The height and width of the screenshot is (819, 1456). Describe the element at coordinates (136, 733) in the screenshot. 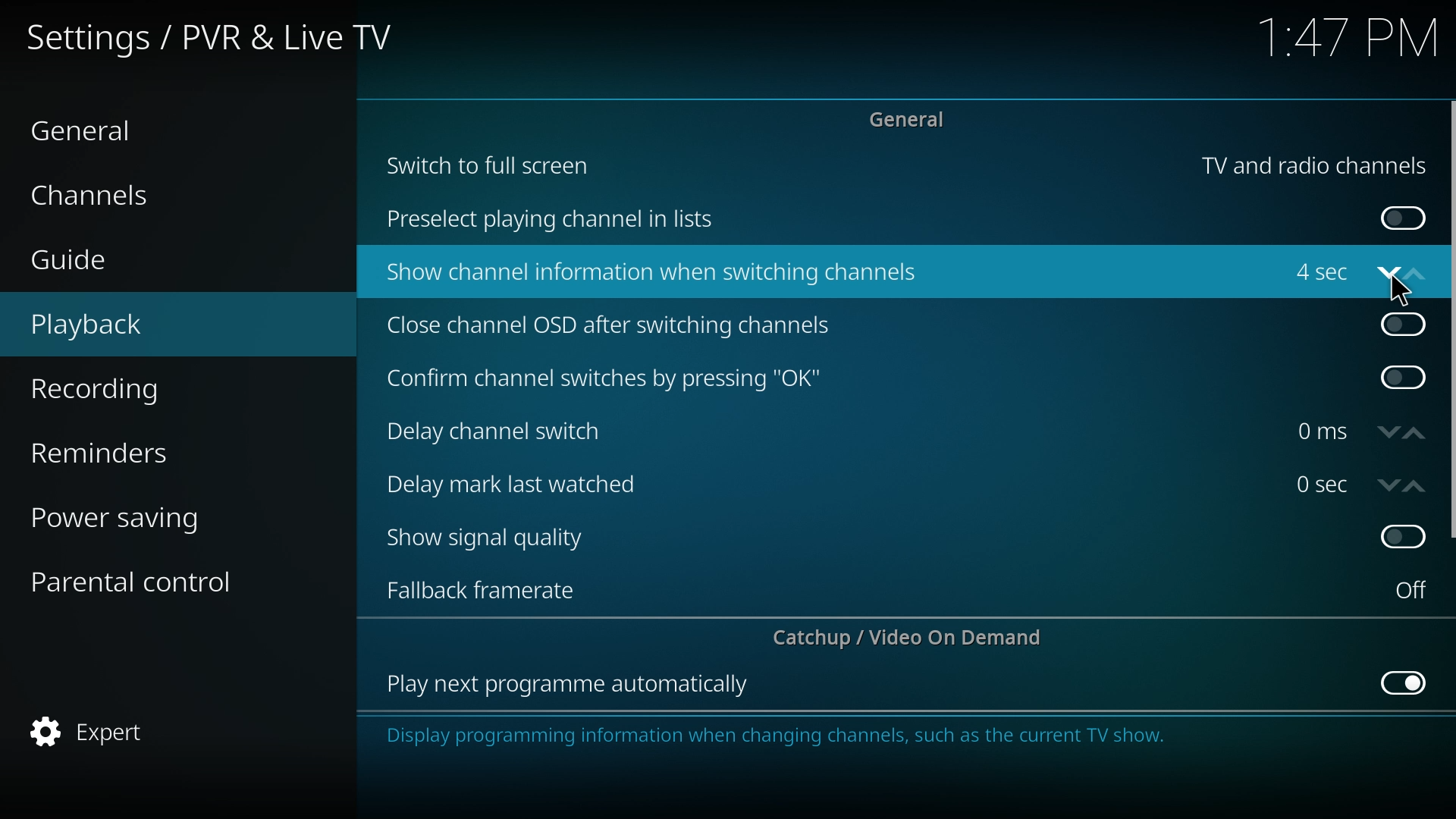

I see `expert` at that location.